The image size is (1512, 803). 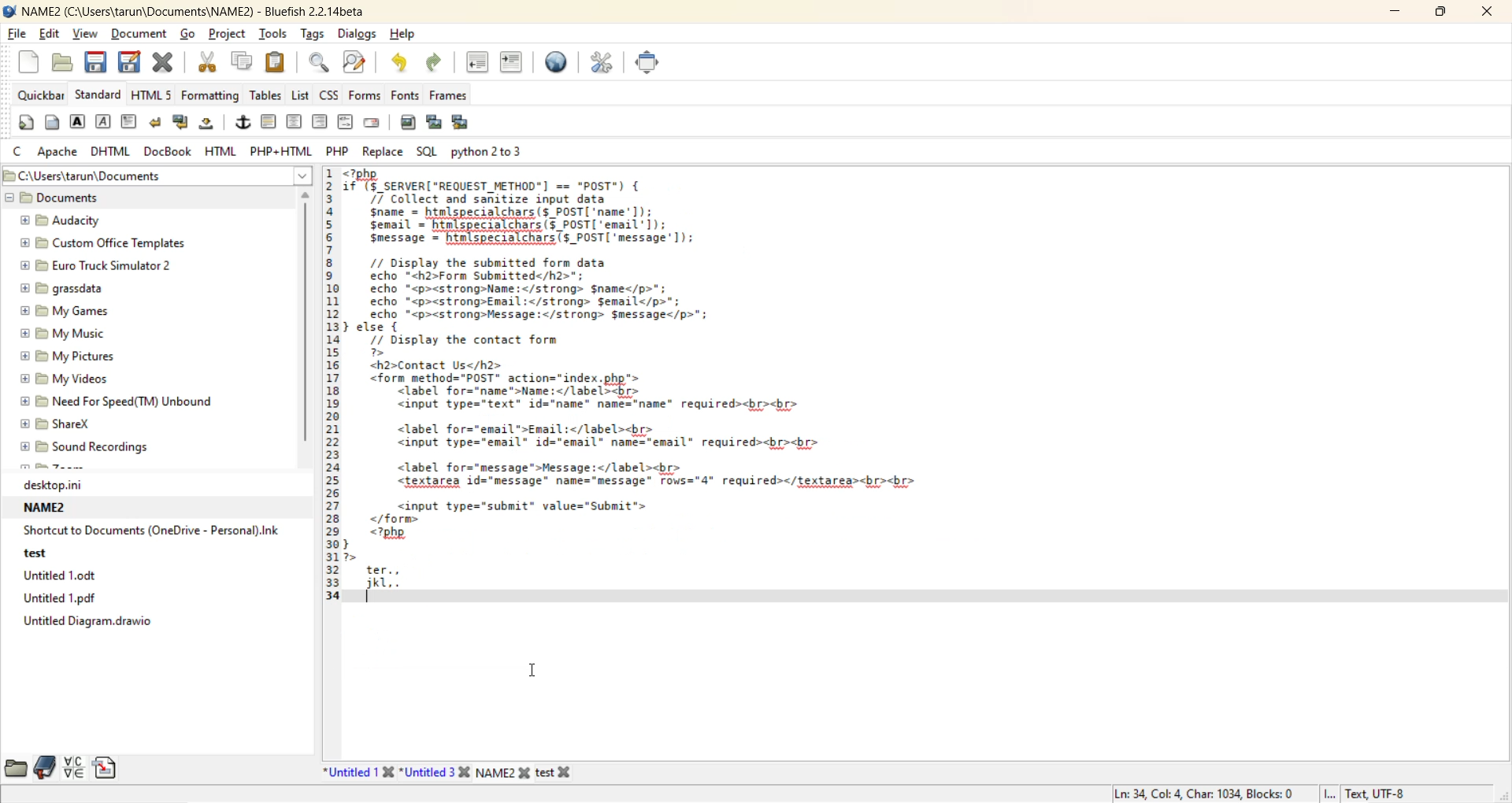 What do you see at coordinates (407, 94) in the screenshot?
I see `fonts` at bounding box center [407, 94].